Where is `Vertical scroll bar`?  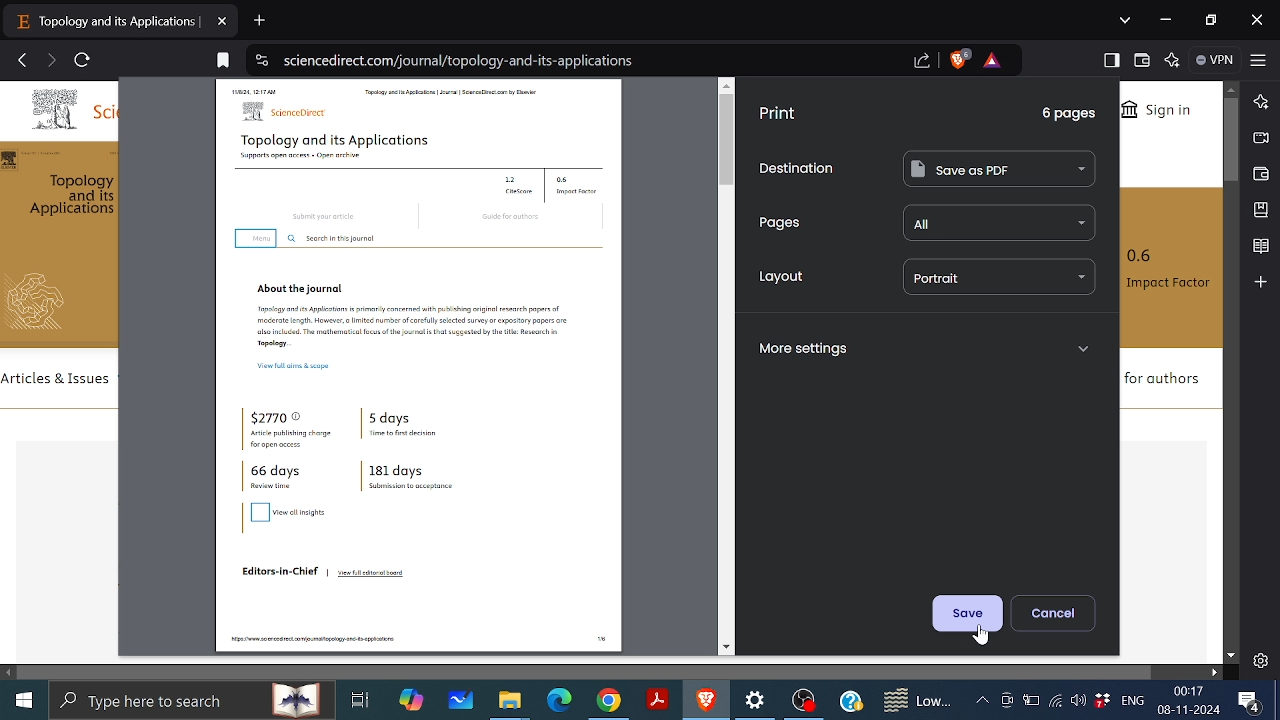 Vertical scroll bar is located at coordinates (1231, 139).